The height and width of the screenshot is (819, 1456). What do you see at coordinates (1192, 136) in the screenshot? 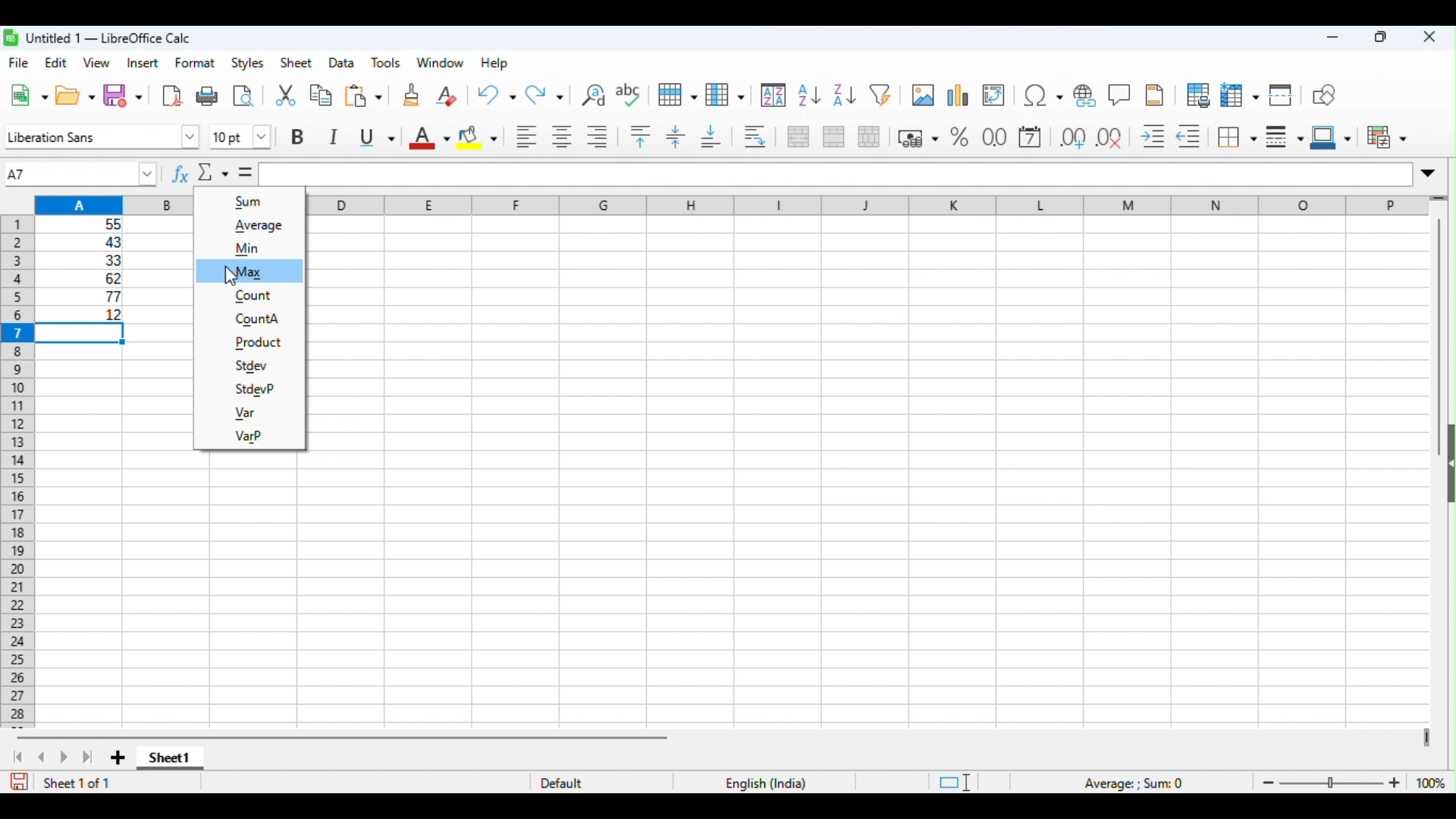
I see `decrease indent` at bounding box center [1192, 136].